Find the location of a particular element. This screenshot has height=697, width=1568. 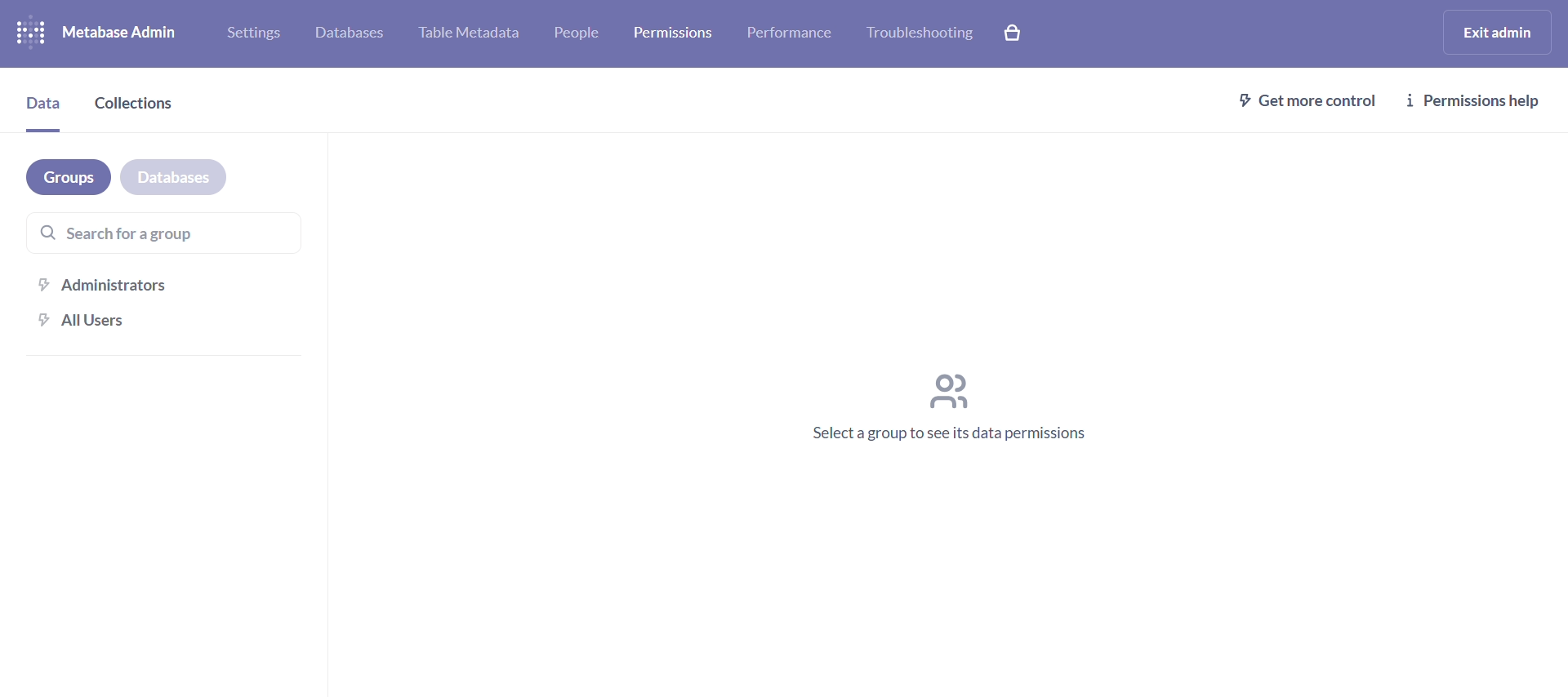

search is located at coordinates (160, 232).